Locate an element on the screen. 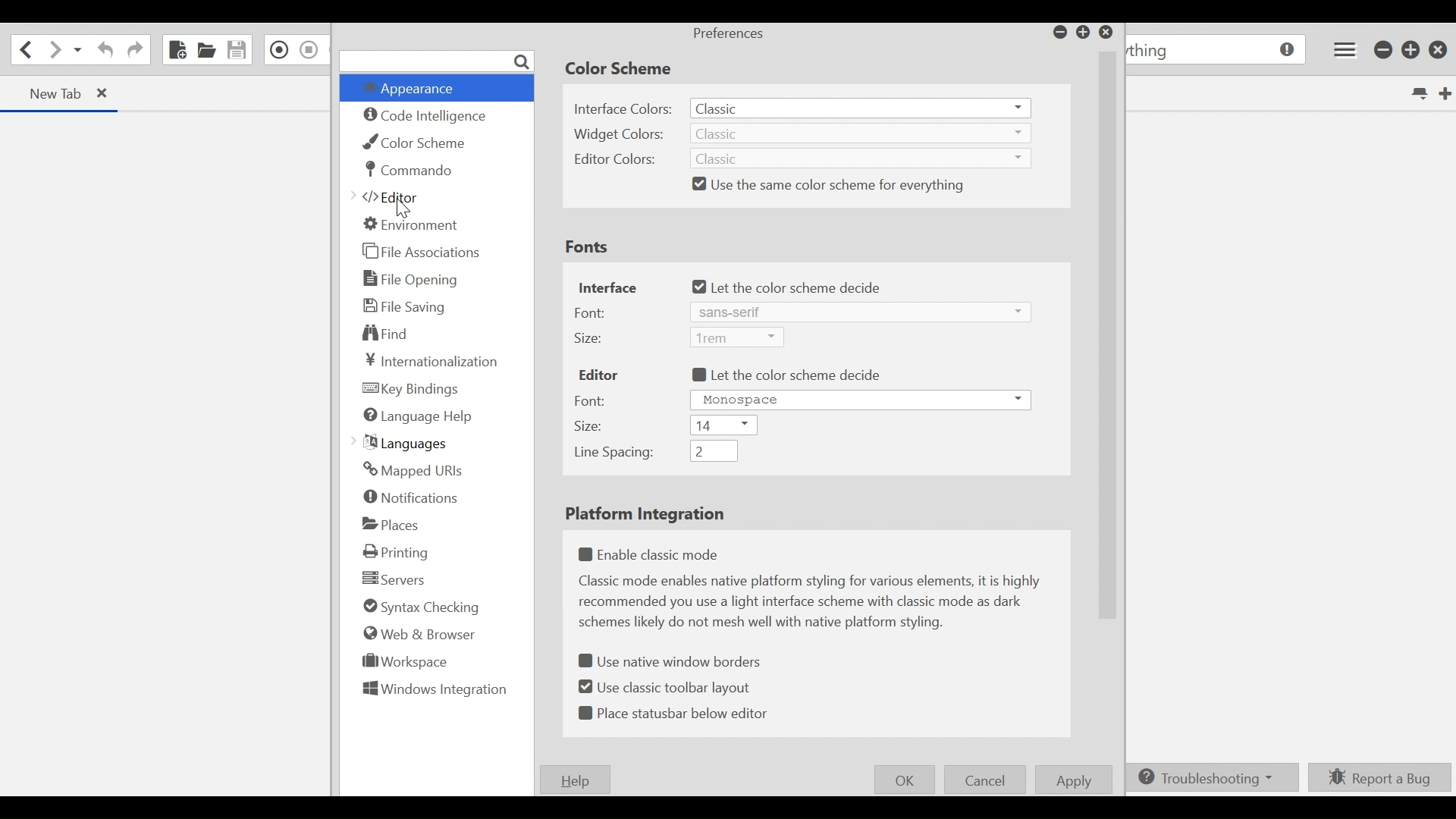  Font dropdown menu is located at coordinates (861, 400).